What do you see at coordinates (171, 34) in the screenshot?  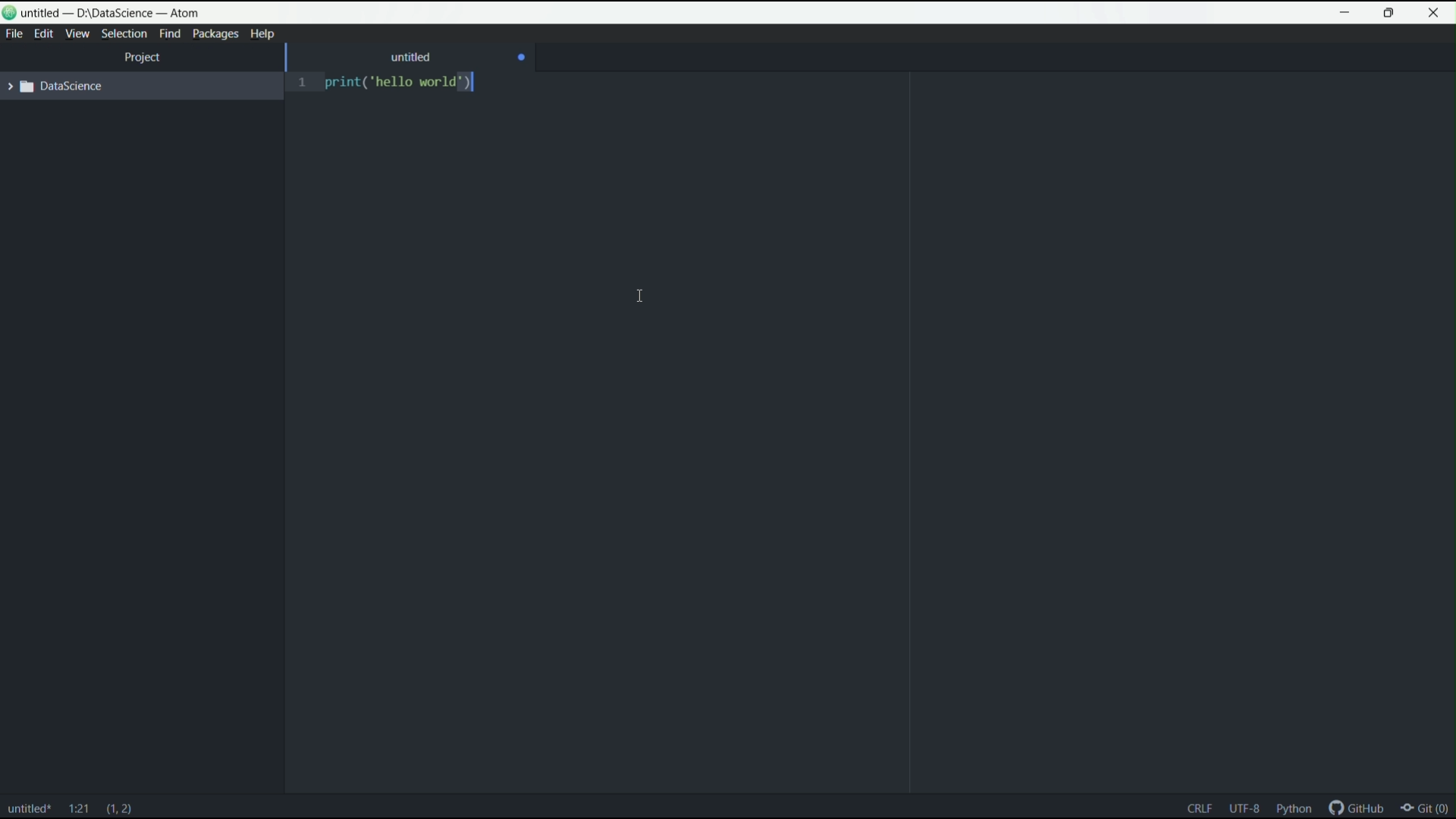 I see `find menu` at bounding box center [171, 34].